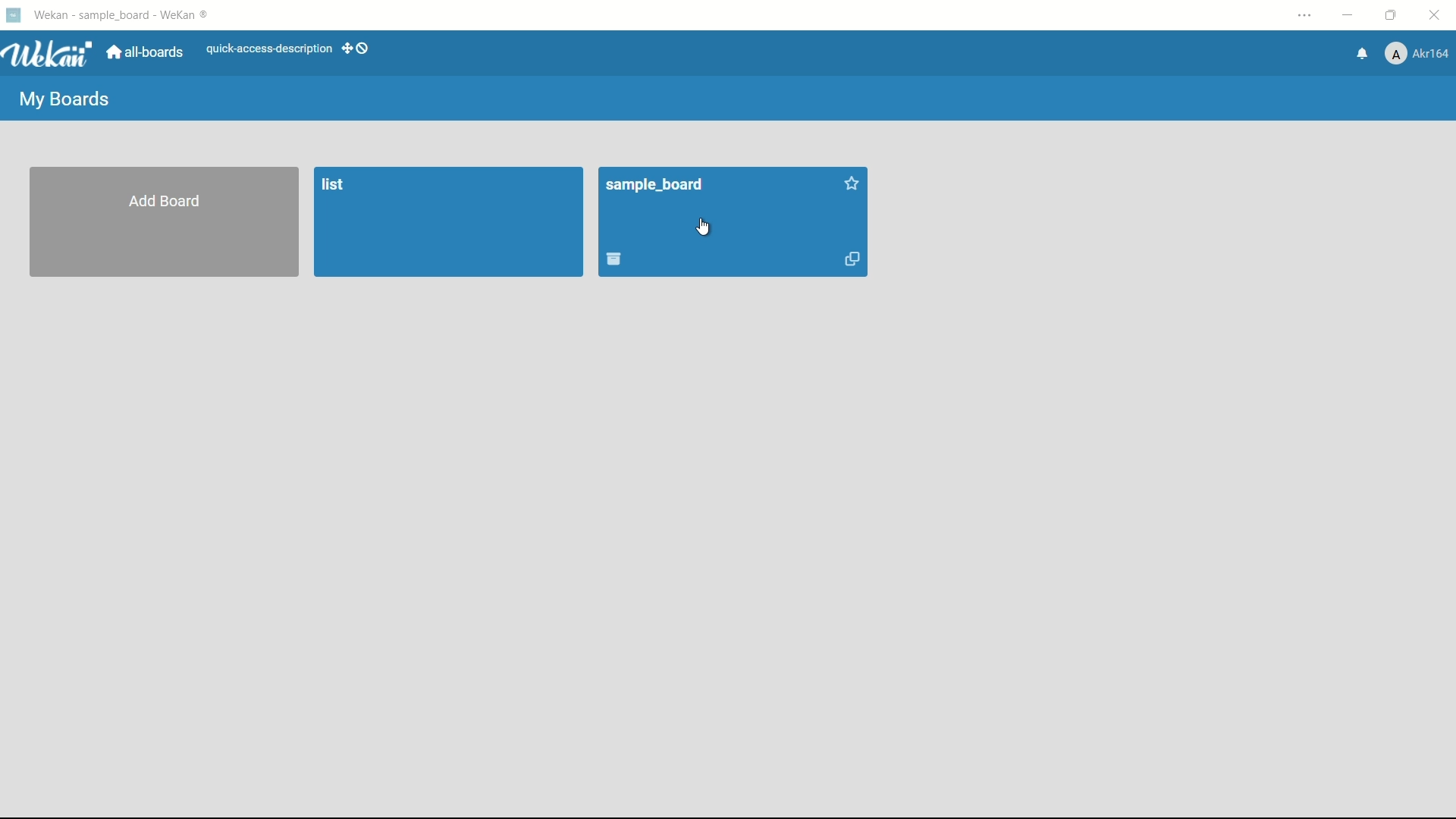  I want to click on quick-access-description, so click(266, 48).